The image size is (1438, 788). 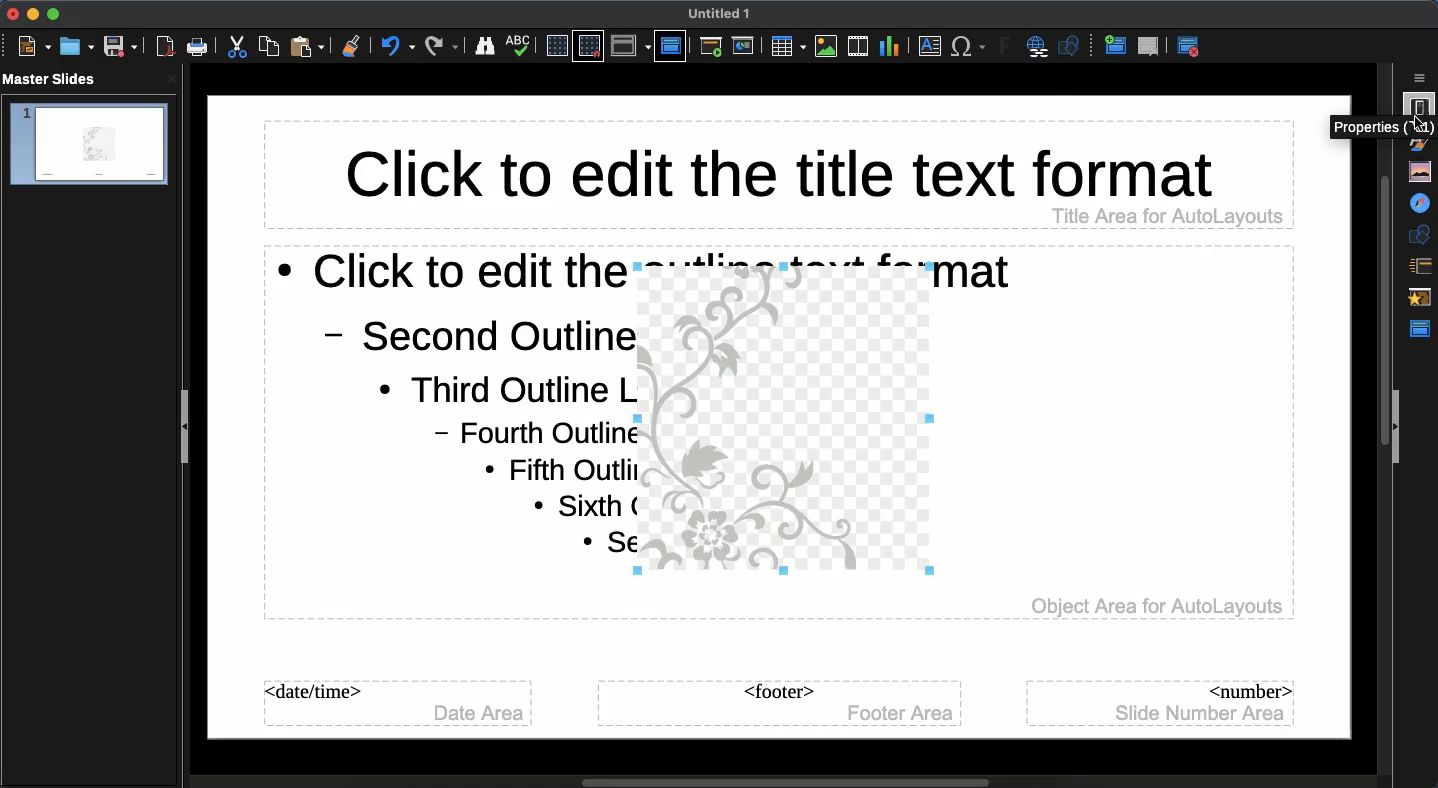 What do you see at coordinates (748, 779) in the screenshot?
I see `Scroll` at bounding box center [748, 779].